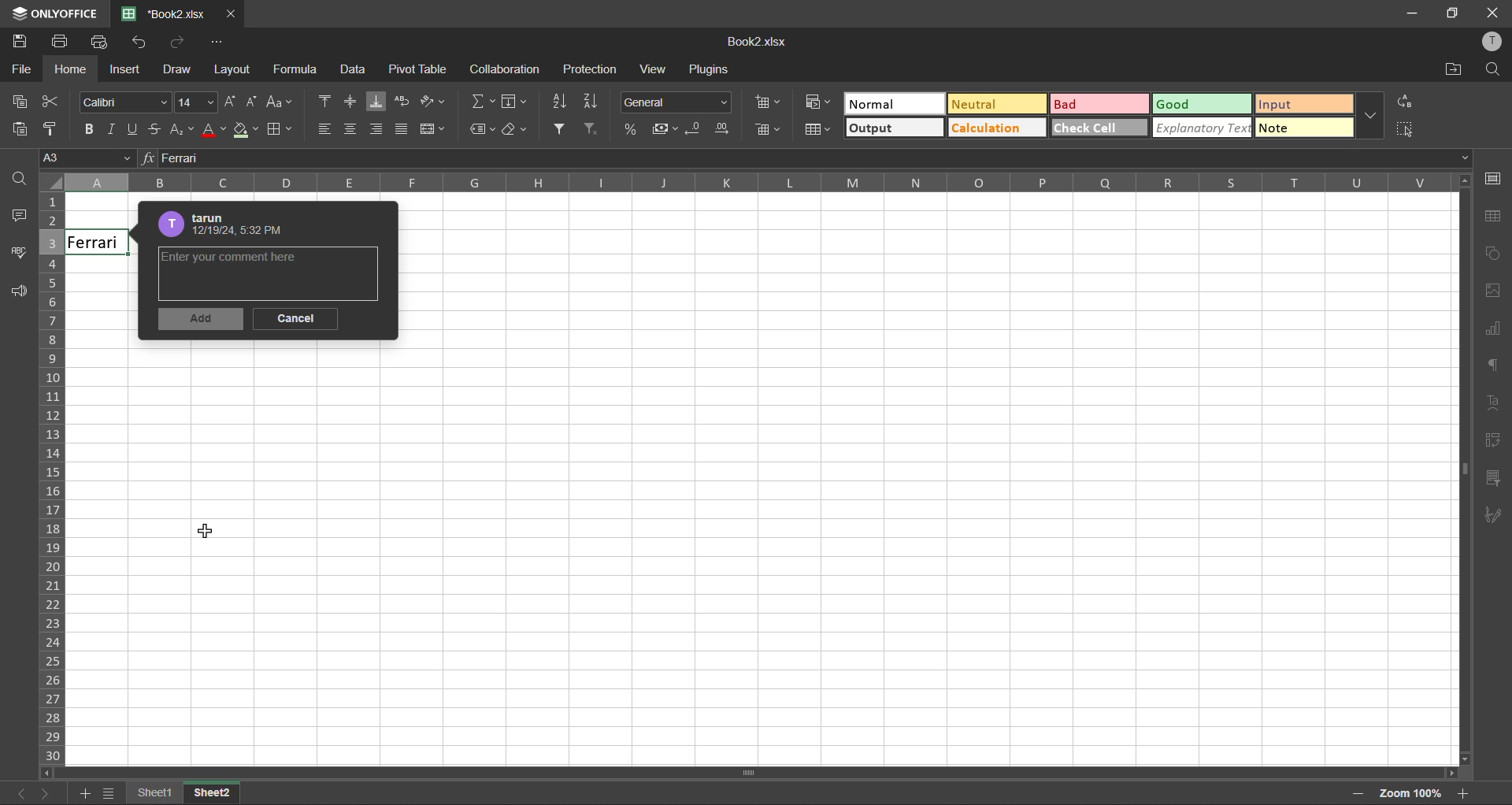  What do you see at coordinates (125, 69) in the screenshot?
I see `insert` at bounding box center [125, 69].